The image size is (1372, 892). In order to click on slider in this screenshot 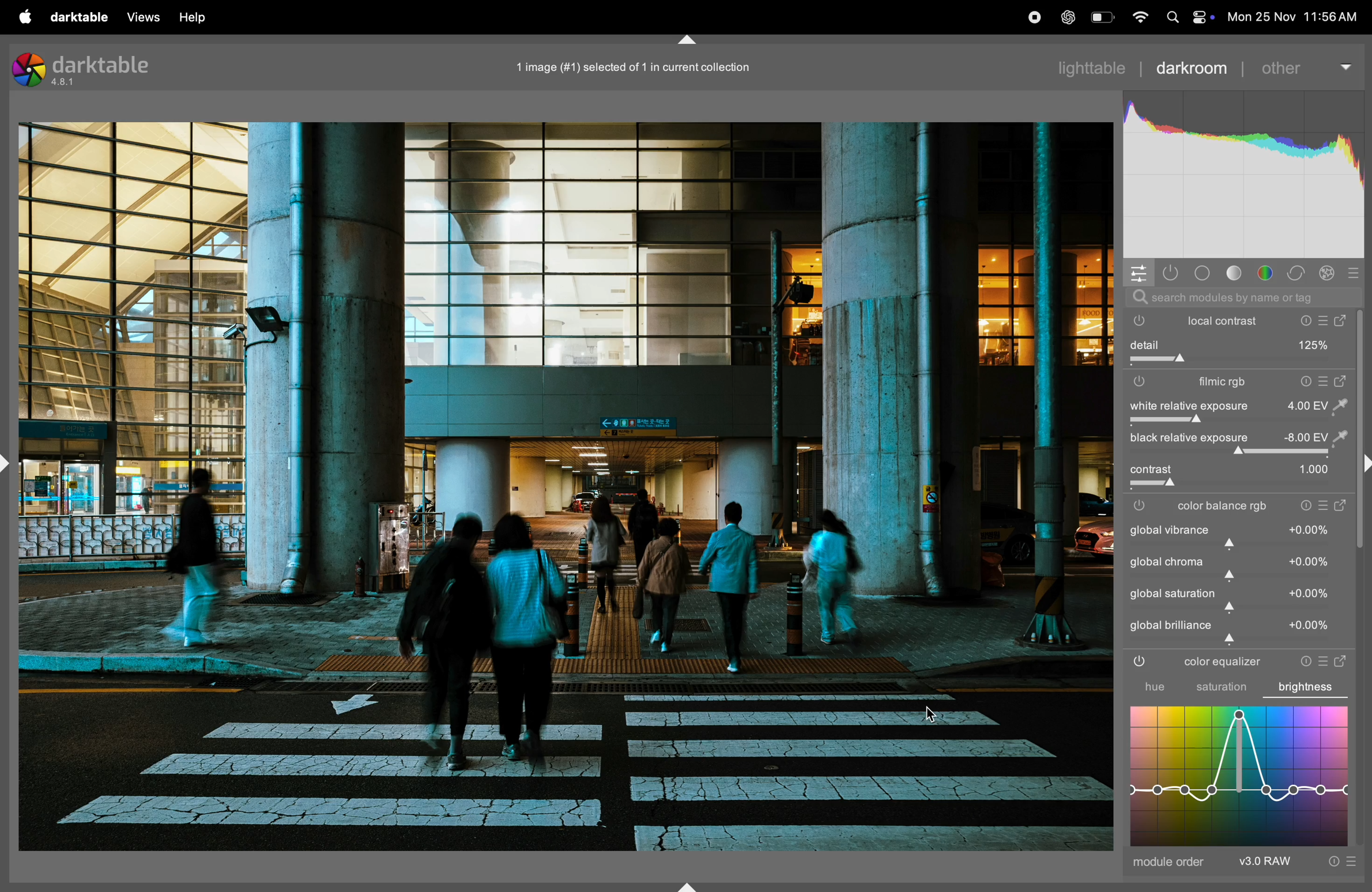, I will do `click(1243, 485)`.